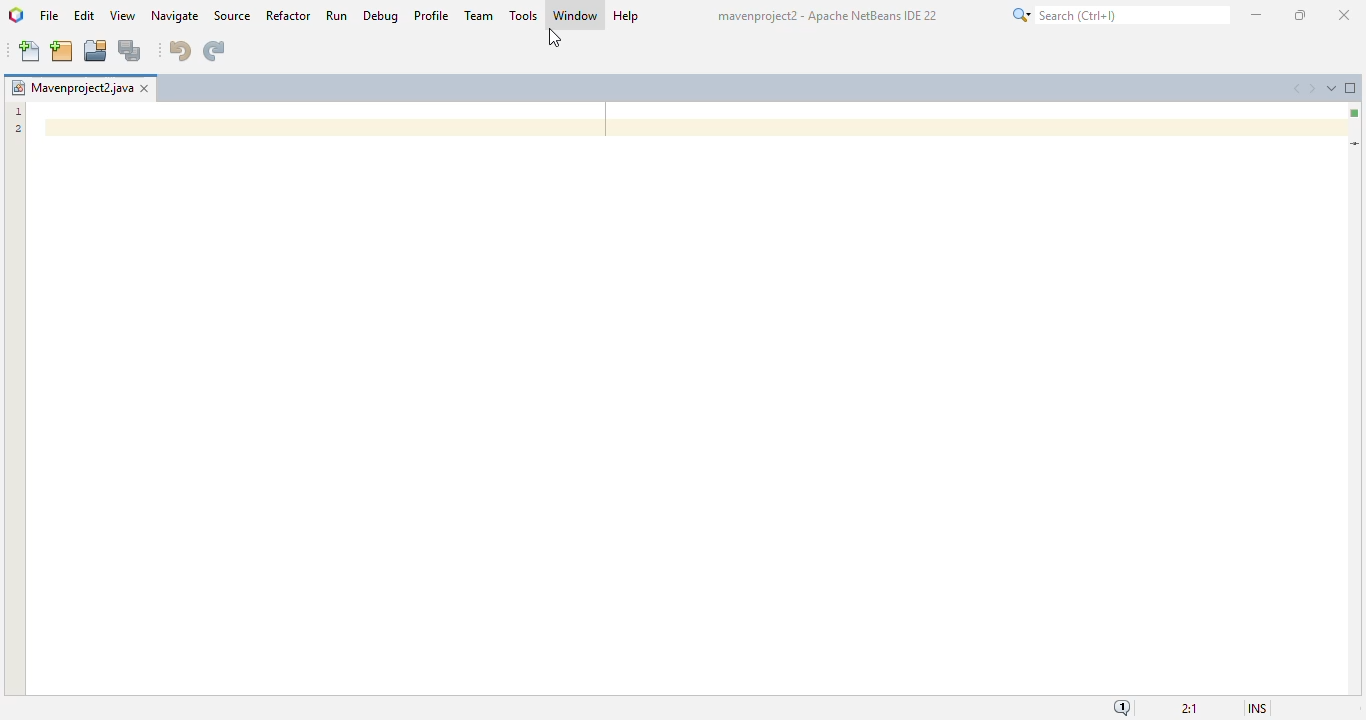  What do you see at coordinates (1122, 707) in the screenshot?
I see `notifications` at bounding box center [1122, 707].